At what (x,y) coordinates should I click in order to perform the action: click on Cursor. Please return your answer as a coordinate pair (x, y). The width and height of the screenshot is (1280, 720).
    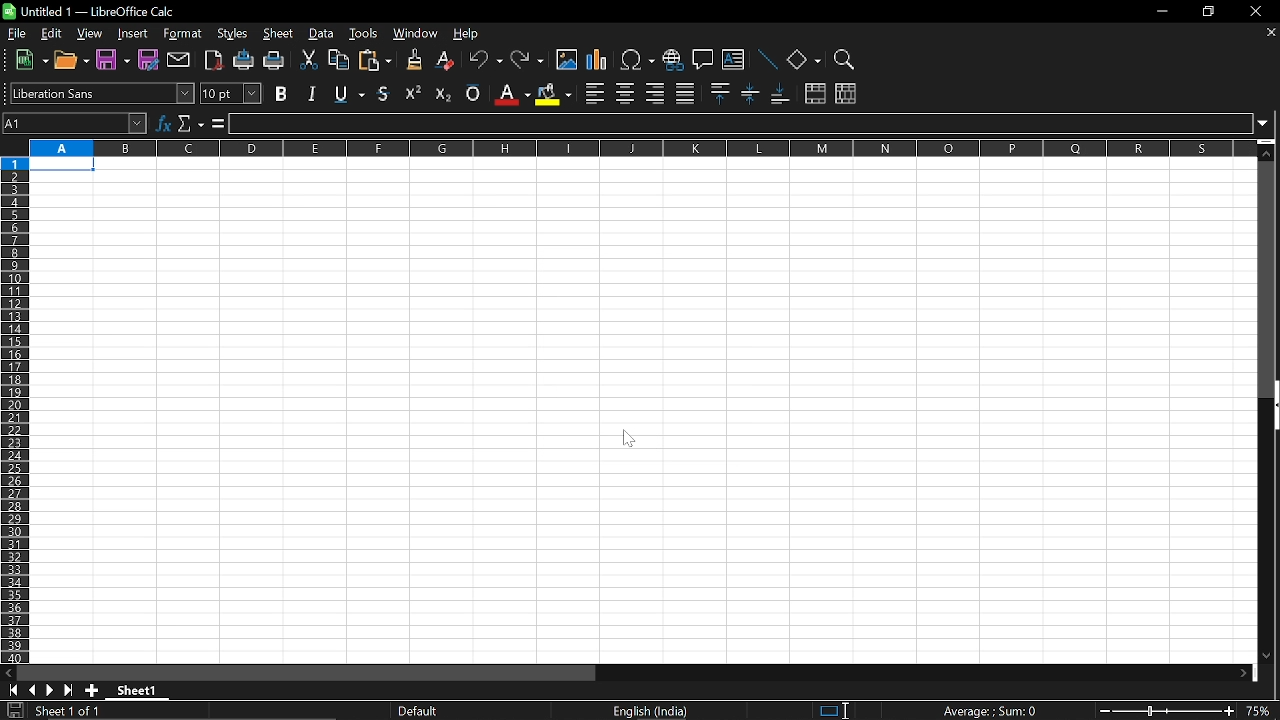
    Looking at the image, I should click on (851, 708).